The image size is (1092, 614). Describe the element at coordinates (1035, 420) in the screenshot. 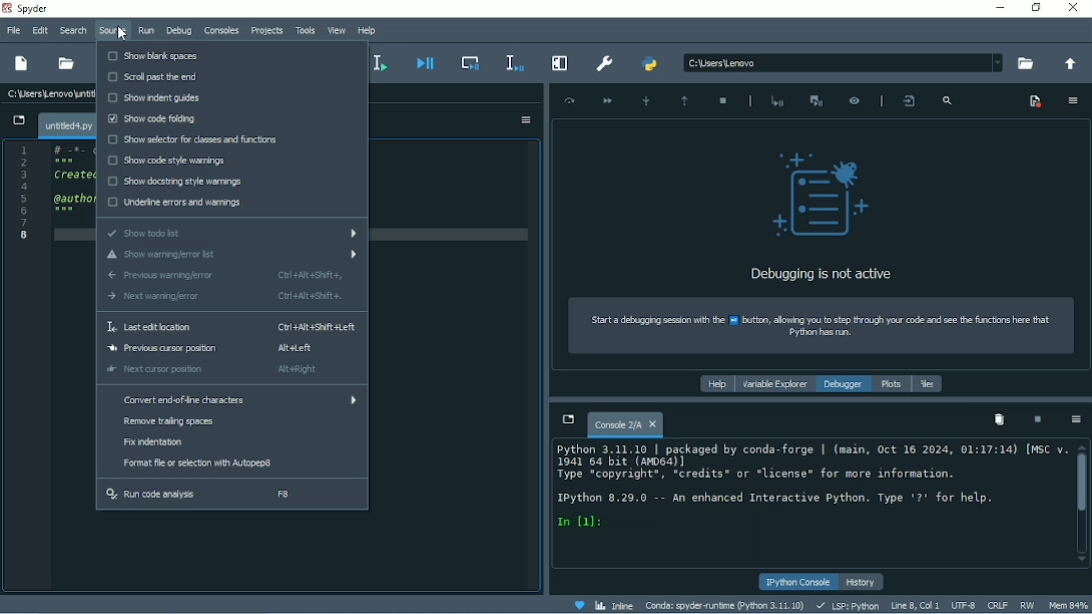

I see `Interrupt kernel` at that location.